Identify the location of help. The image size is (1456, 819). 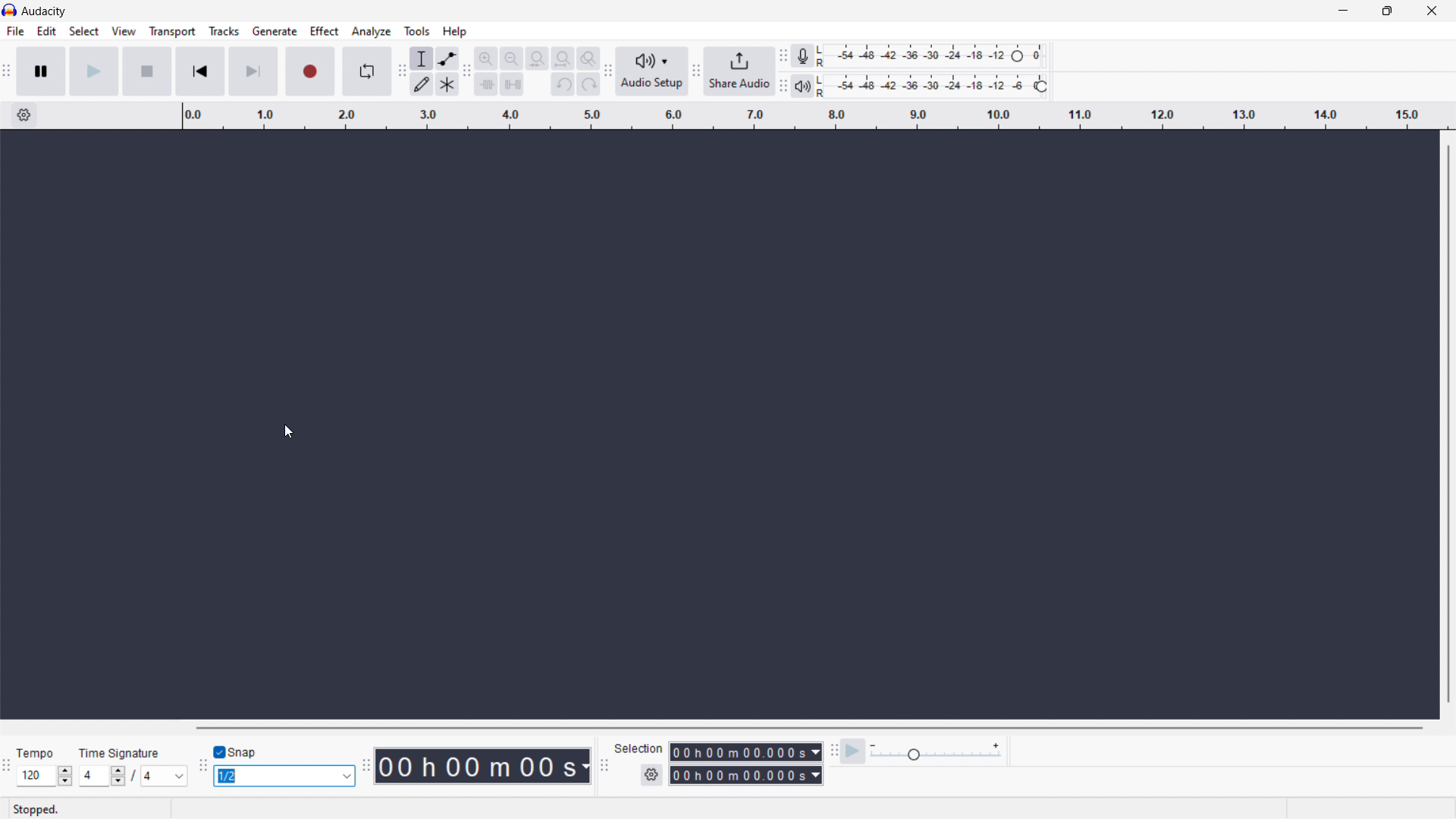
(455, 32).